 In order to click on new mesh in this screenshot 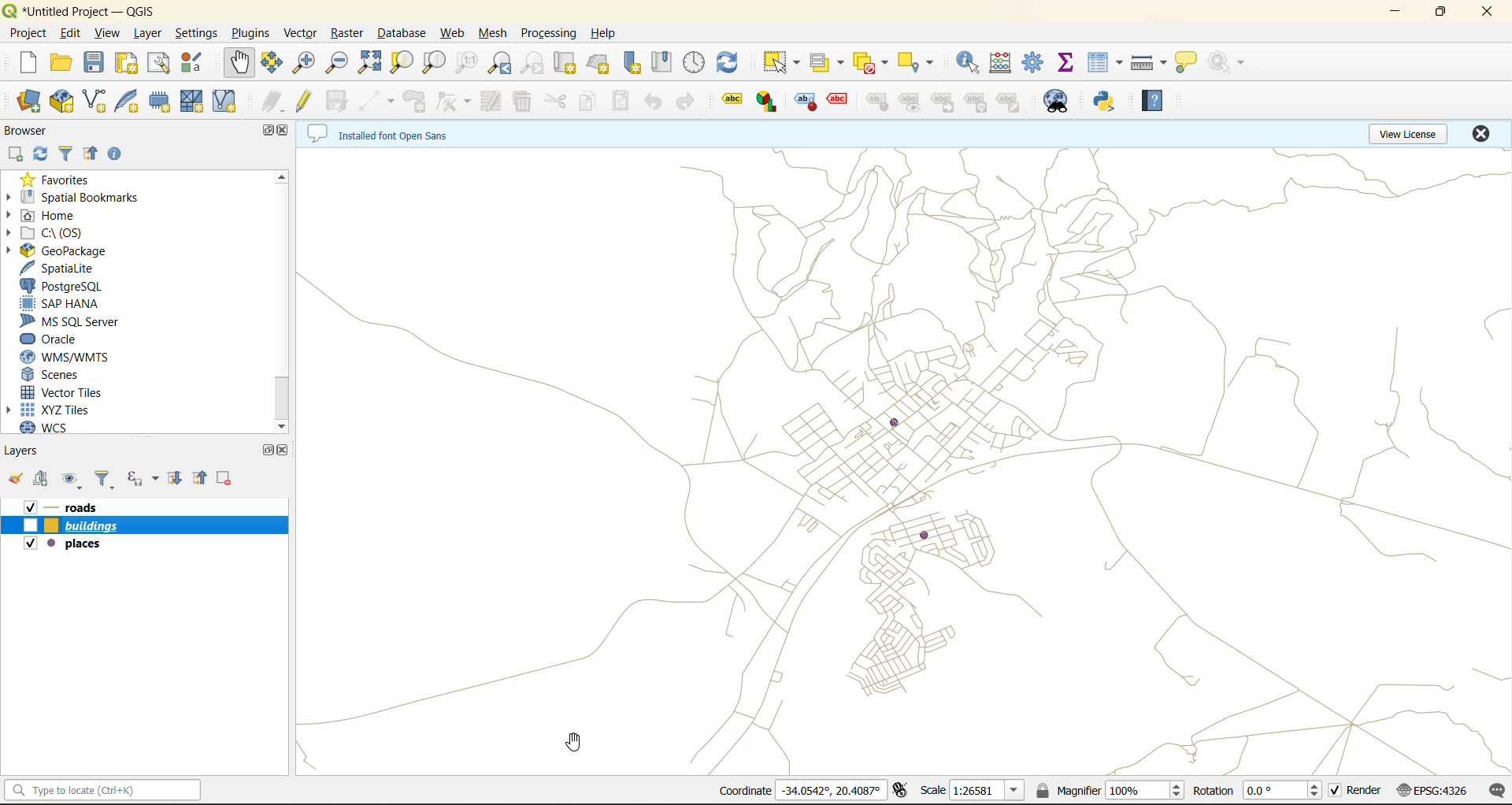, I will do `click(197, 103)`.